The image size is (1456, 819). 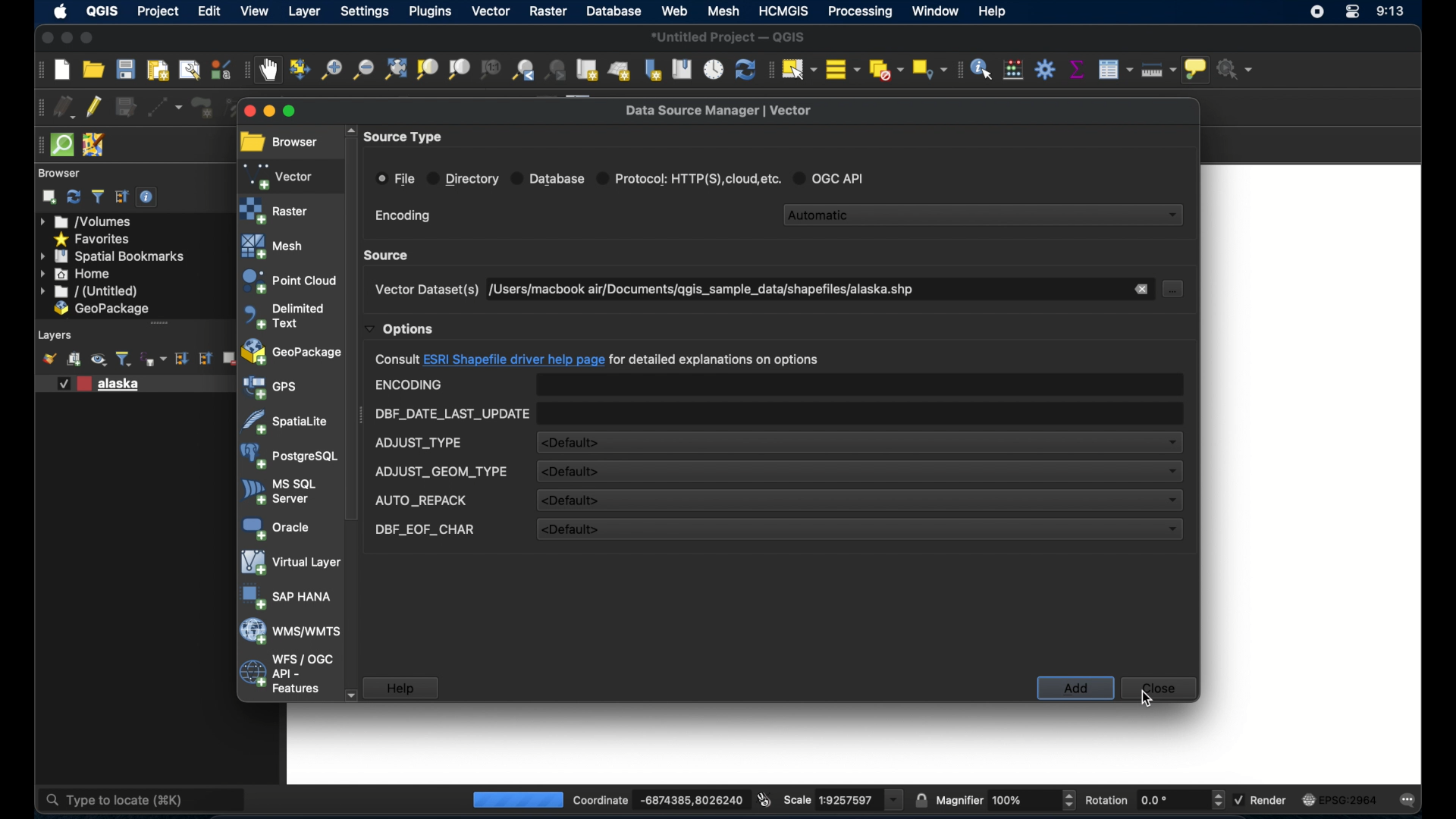 I want to click on cursor, so click(x=1147, y=698).